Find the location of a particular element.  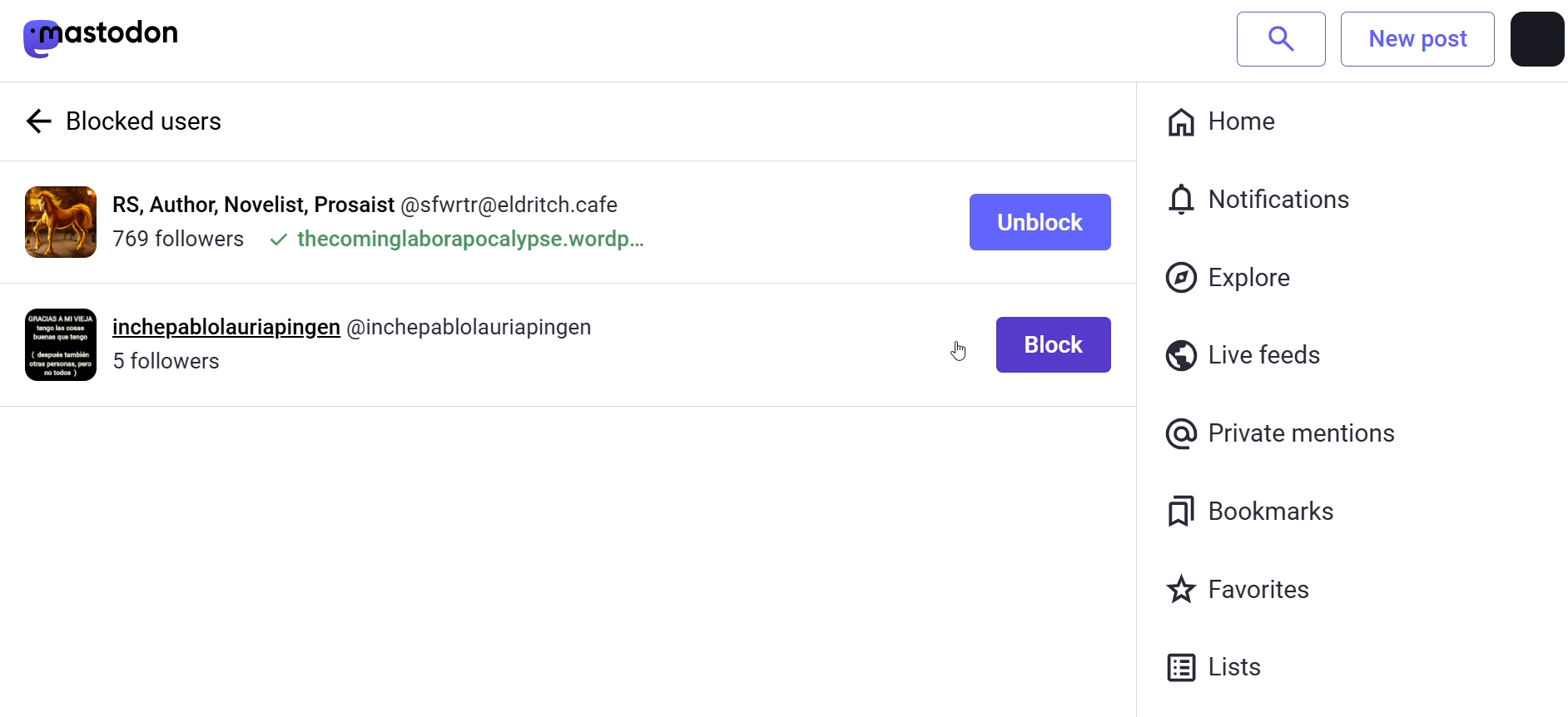

cursor is located at coordinates (960, 349).